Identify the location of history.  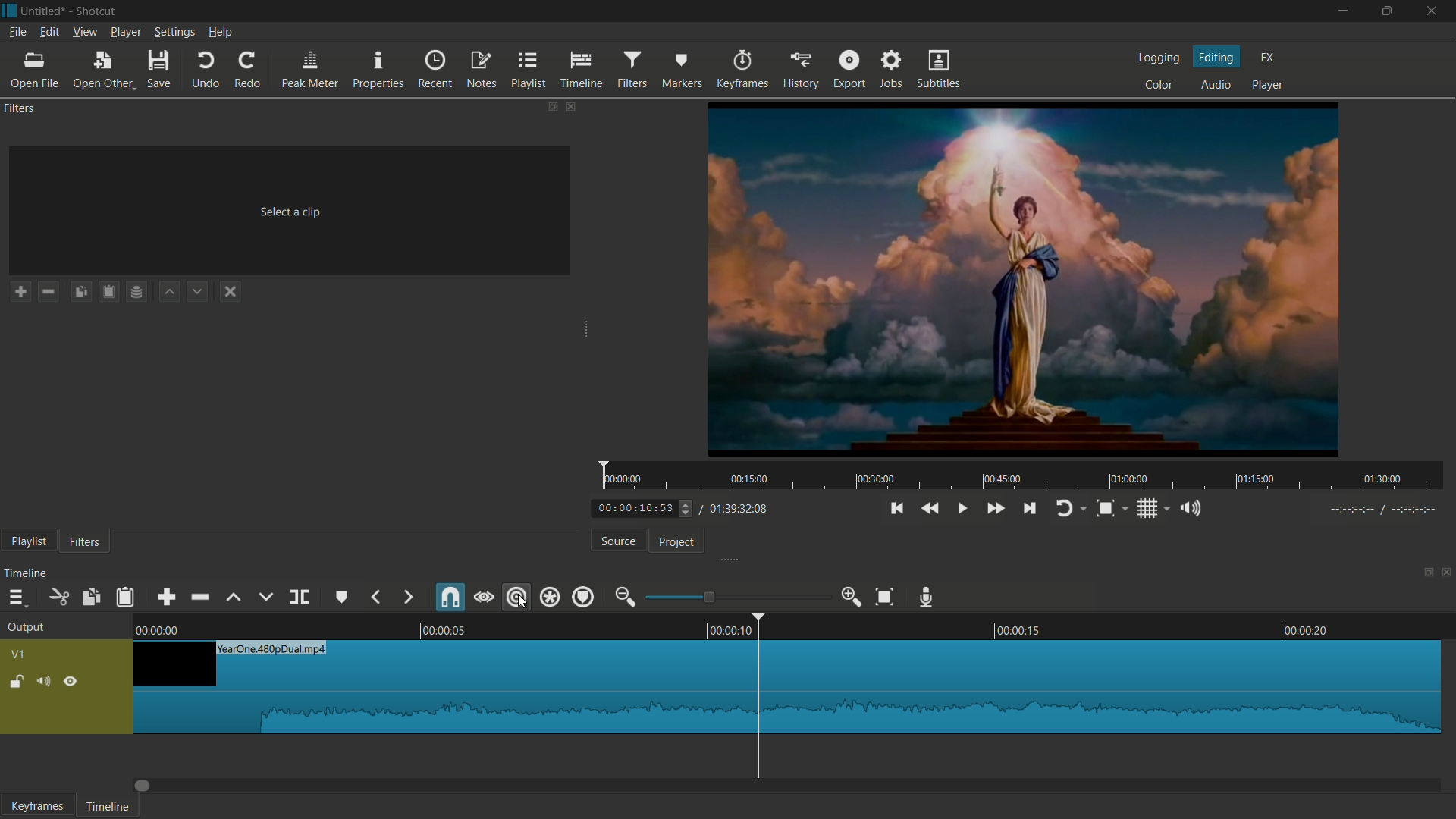
(801, 69).